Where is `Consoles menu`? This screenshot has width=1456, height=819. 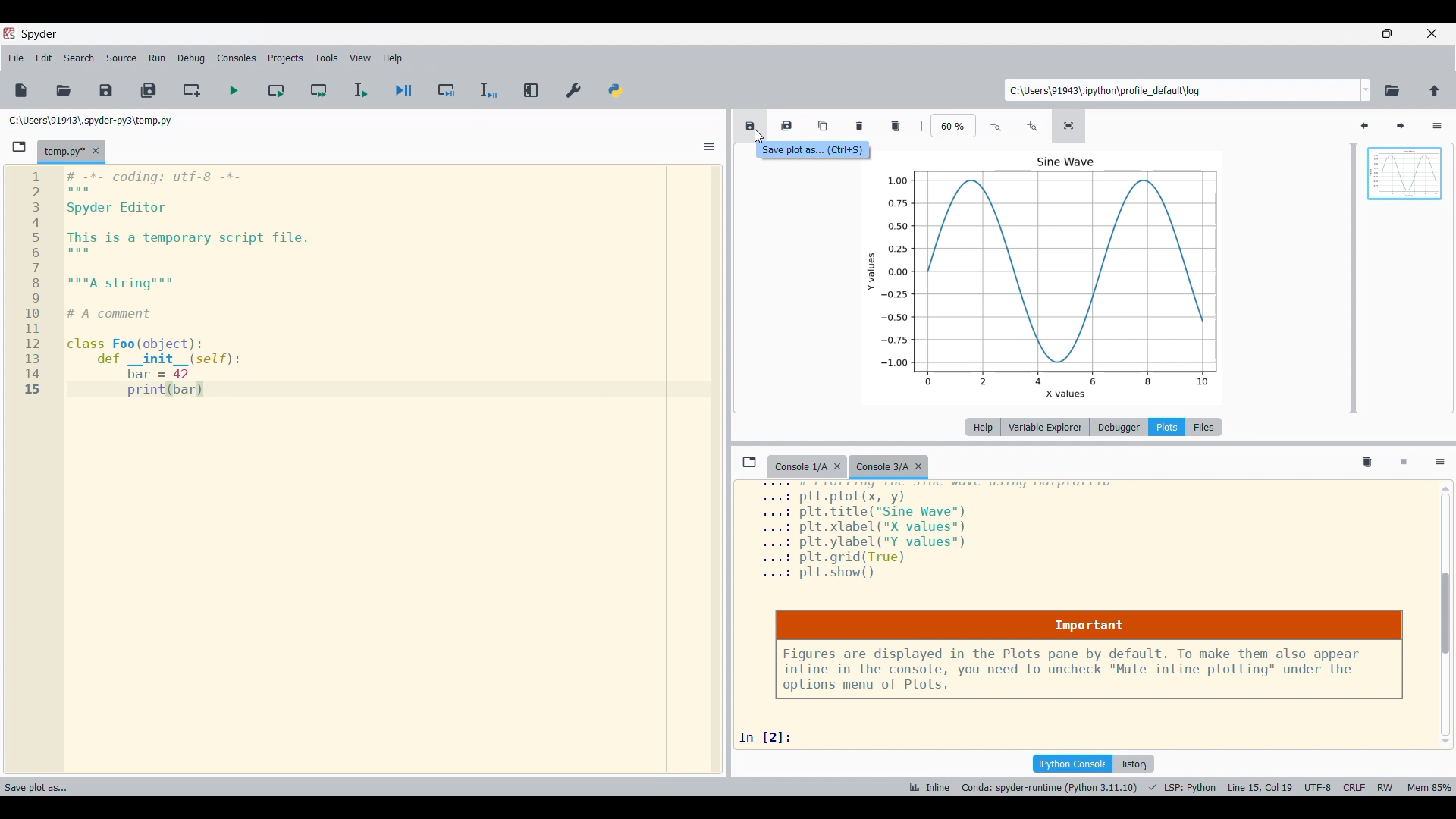
Consoles menu is located at coordinates (237, 58).